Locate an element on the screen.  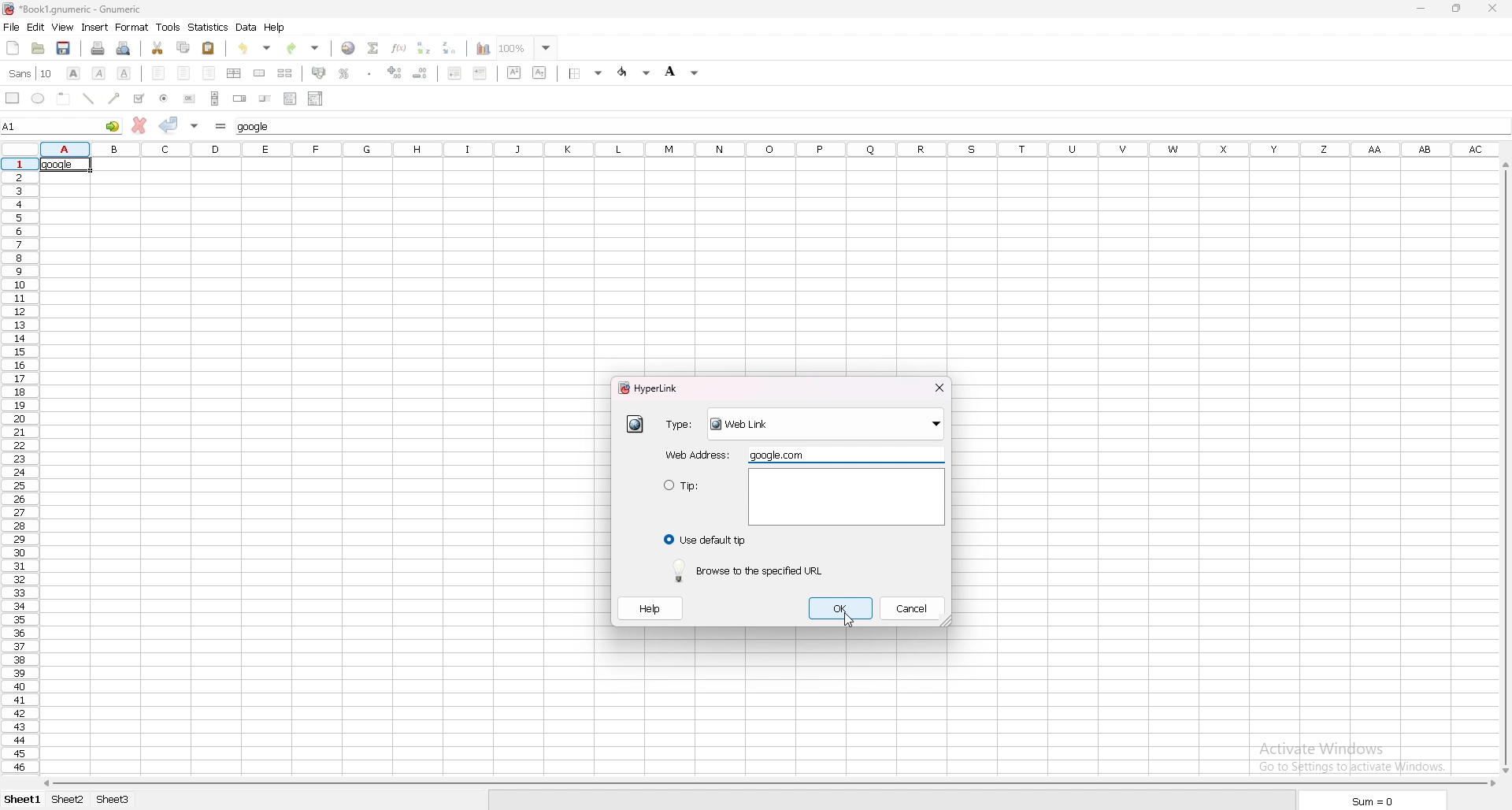
selected cell is located at coordinates (61, 124).